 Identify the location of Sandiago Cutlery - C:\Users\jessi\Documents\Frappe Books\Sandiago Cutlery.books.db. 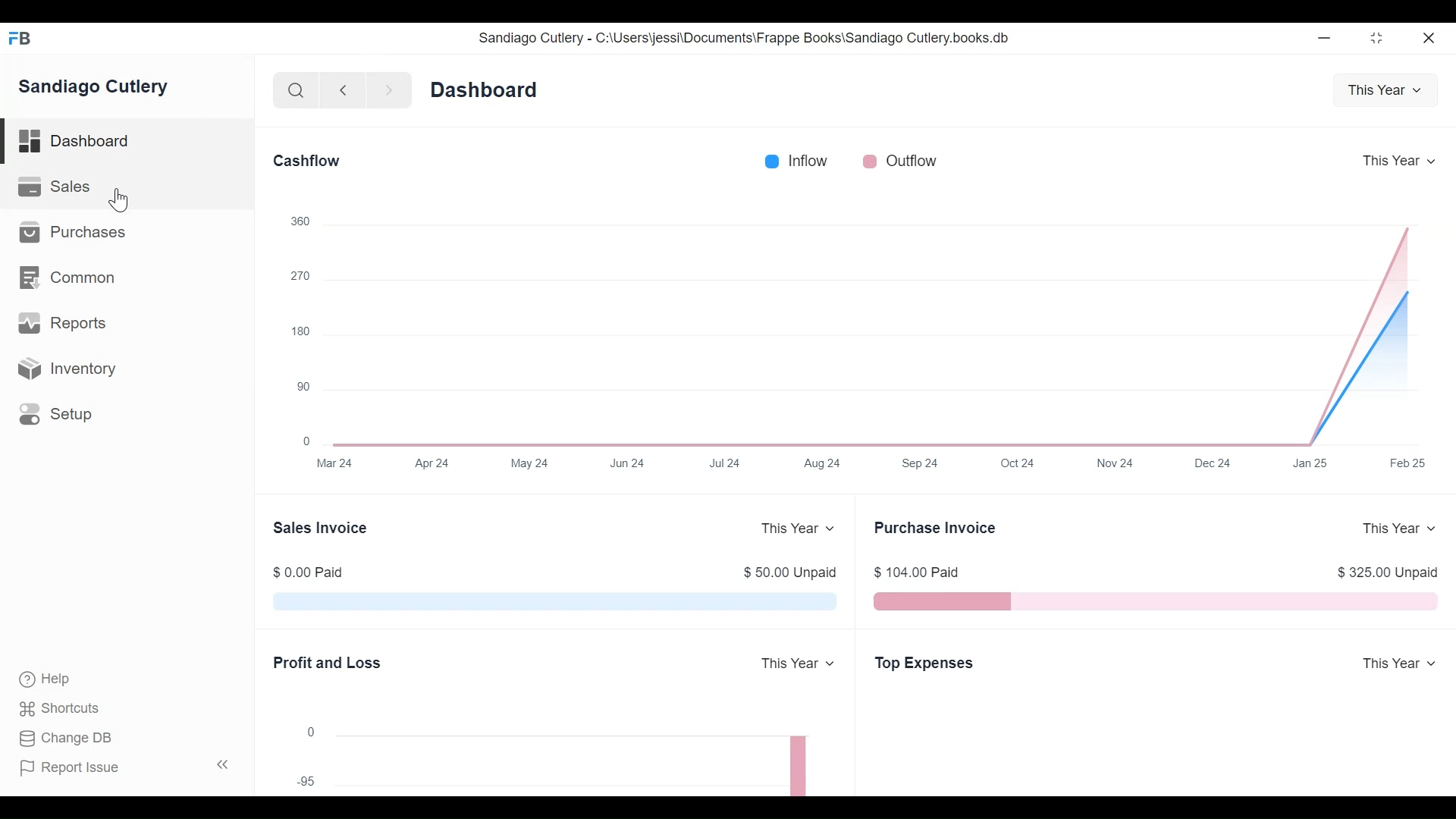
(744, 37).